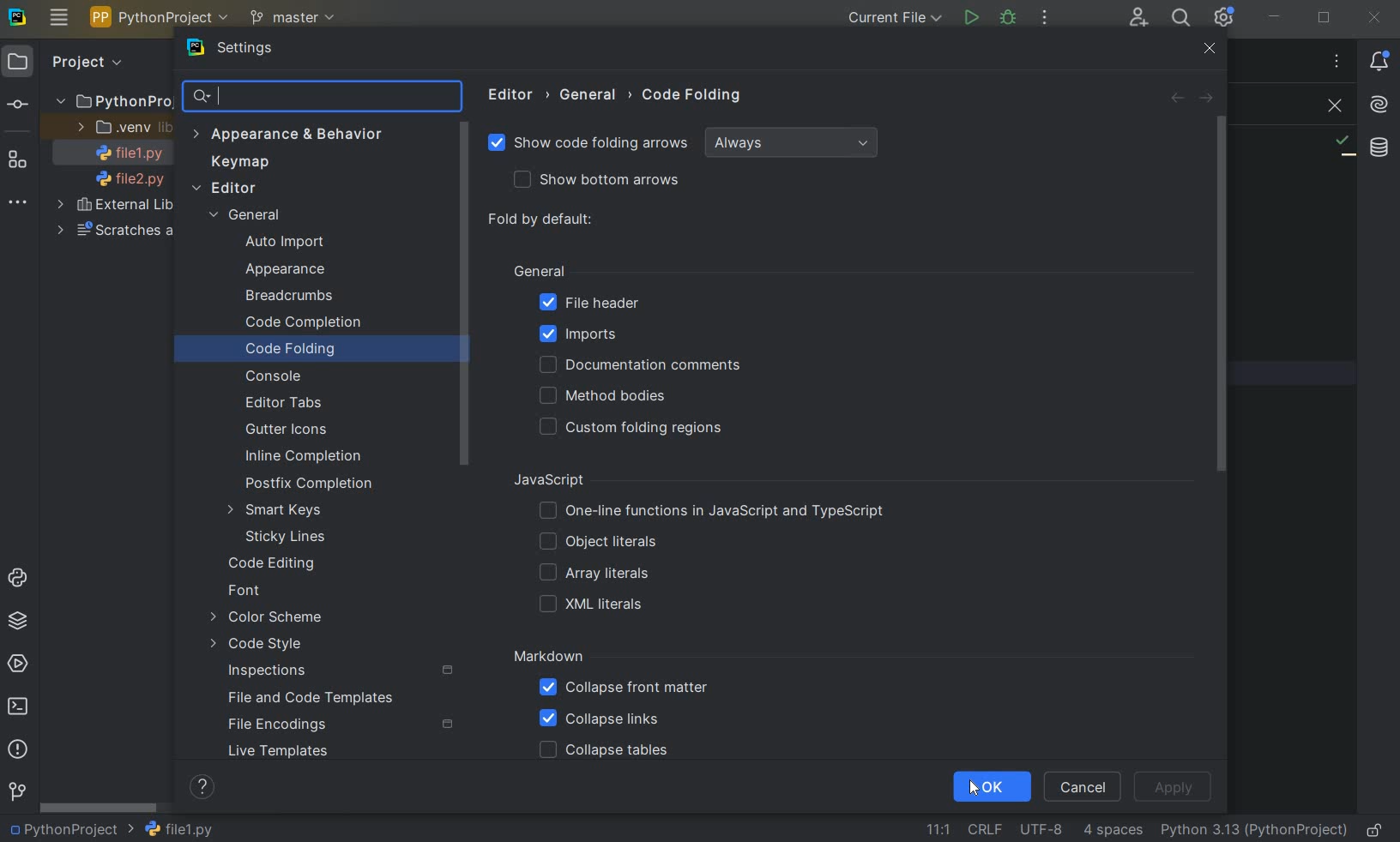  I want to click on SMART KEYS, so click(279, 511).